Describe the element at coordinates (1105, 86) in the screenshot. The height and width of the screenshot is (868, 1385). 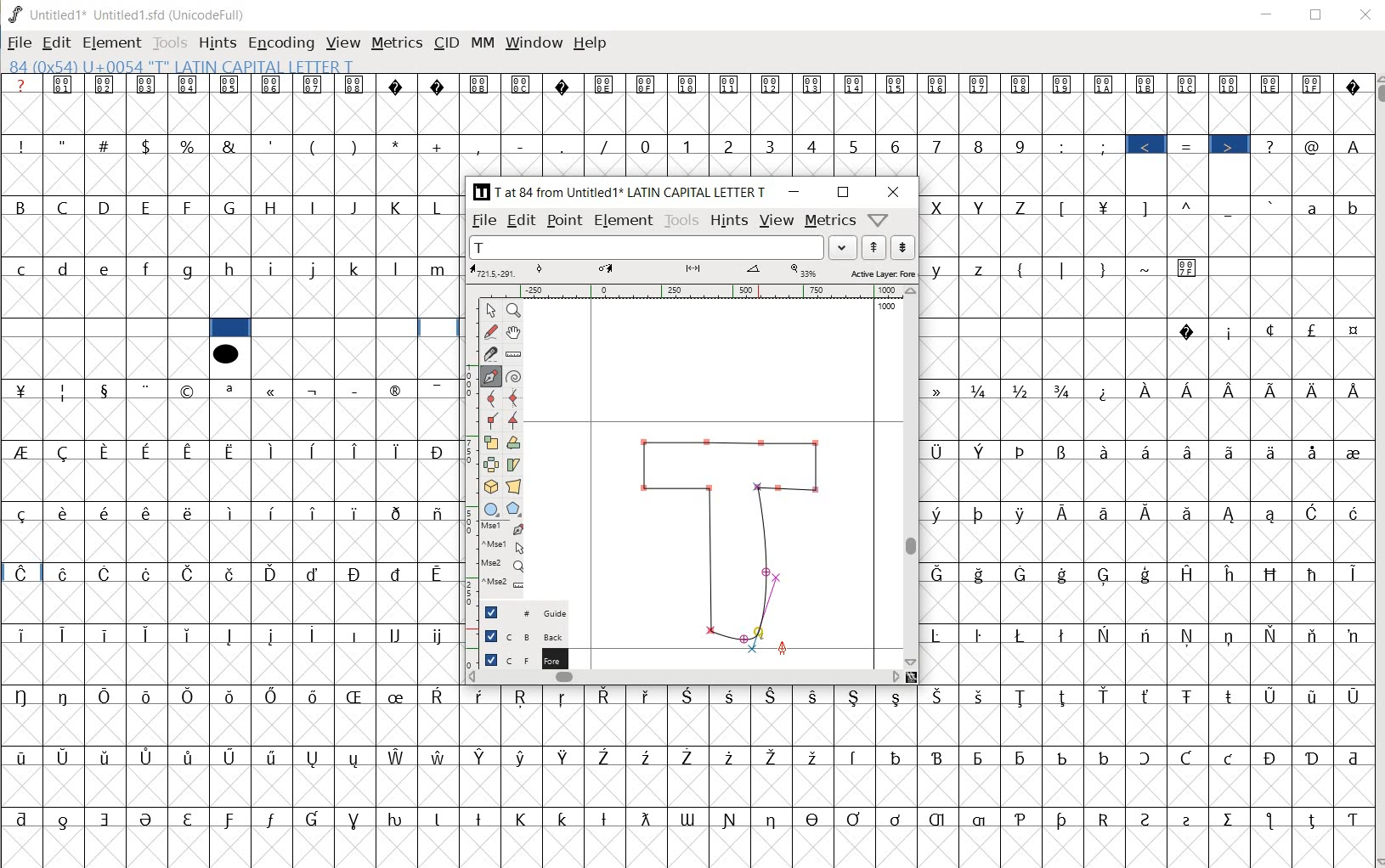
I see `Symbol` at that location.